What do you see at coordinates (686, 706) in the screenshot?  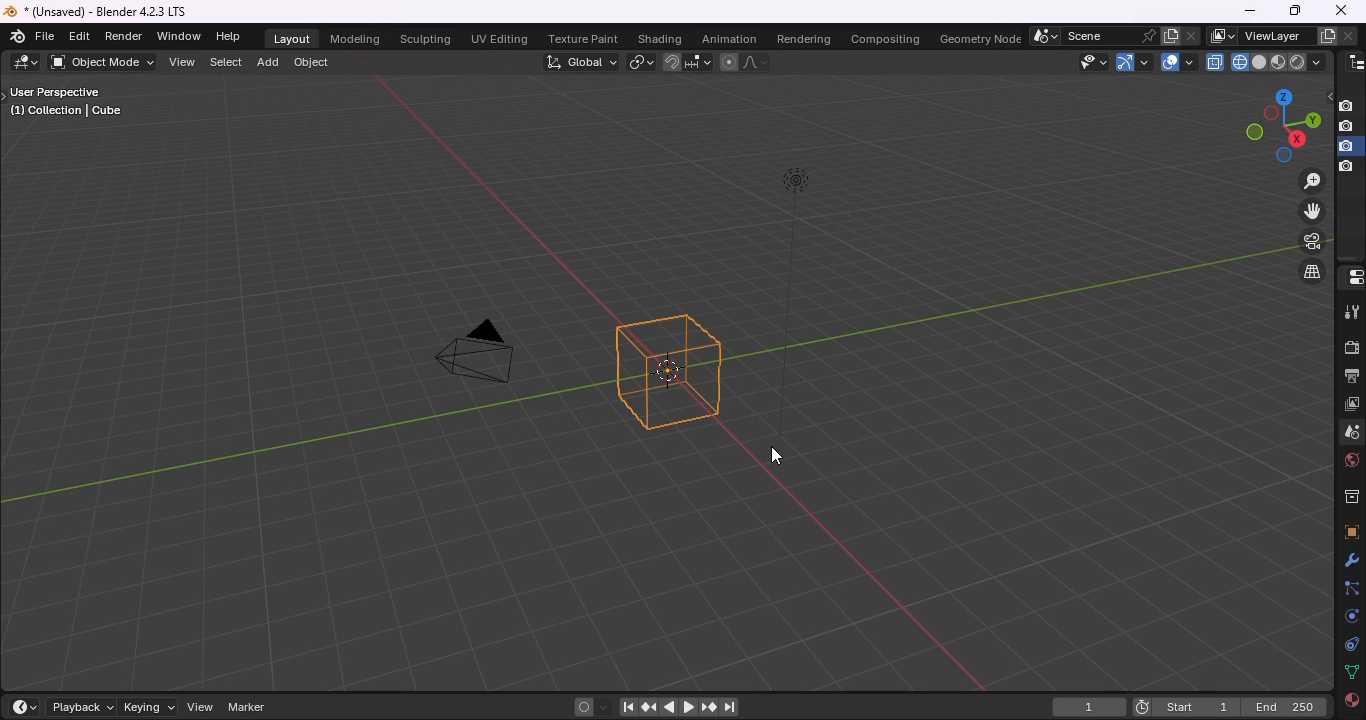 I see `play animation` at bounding box center [686, 706].